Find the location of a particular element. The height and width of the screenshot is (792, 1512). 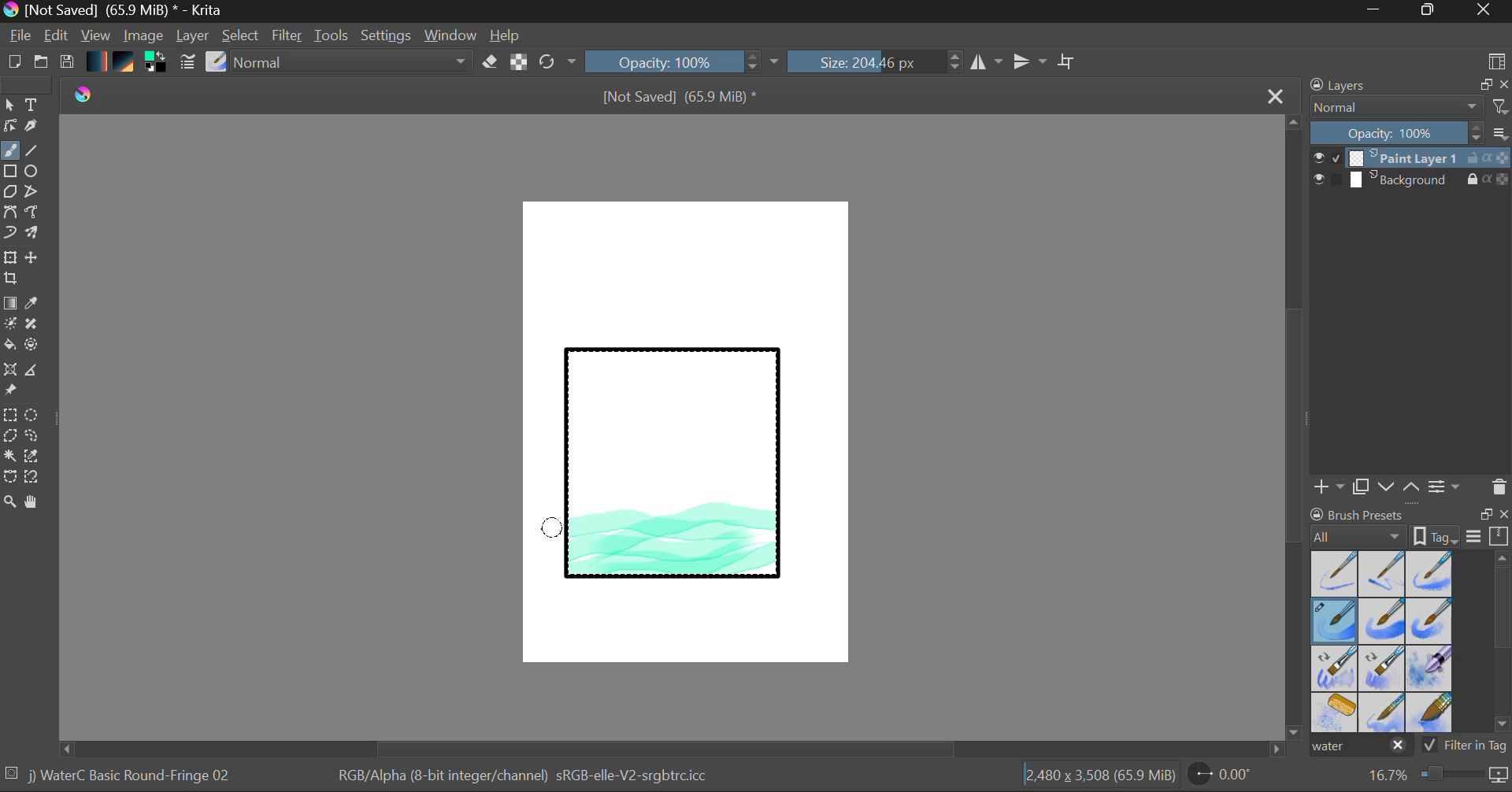

Blending Mode is located at coordinates (1410, 107).